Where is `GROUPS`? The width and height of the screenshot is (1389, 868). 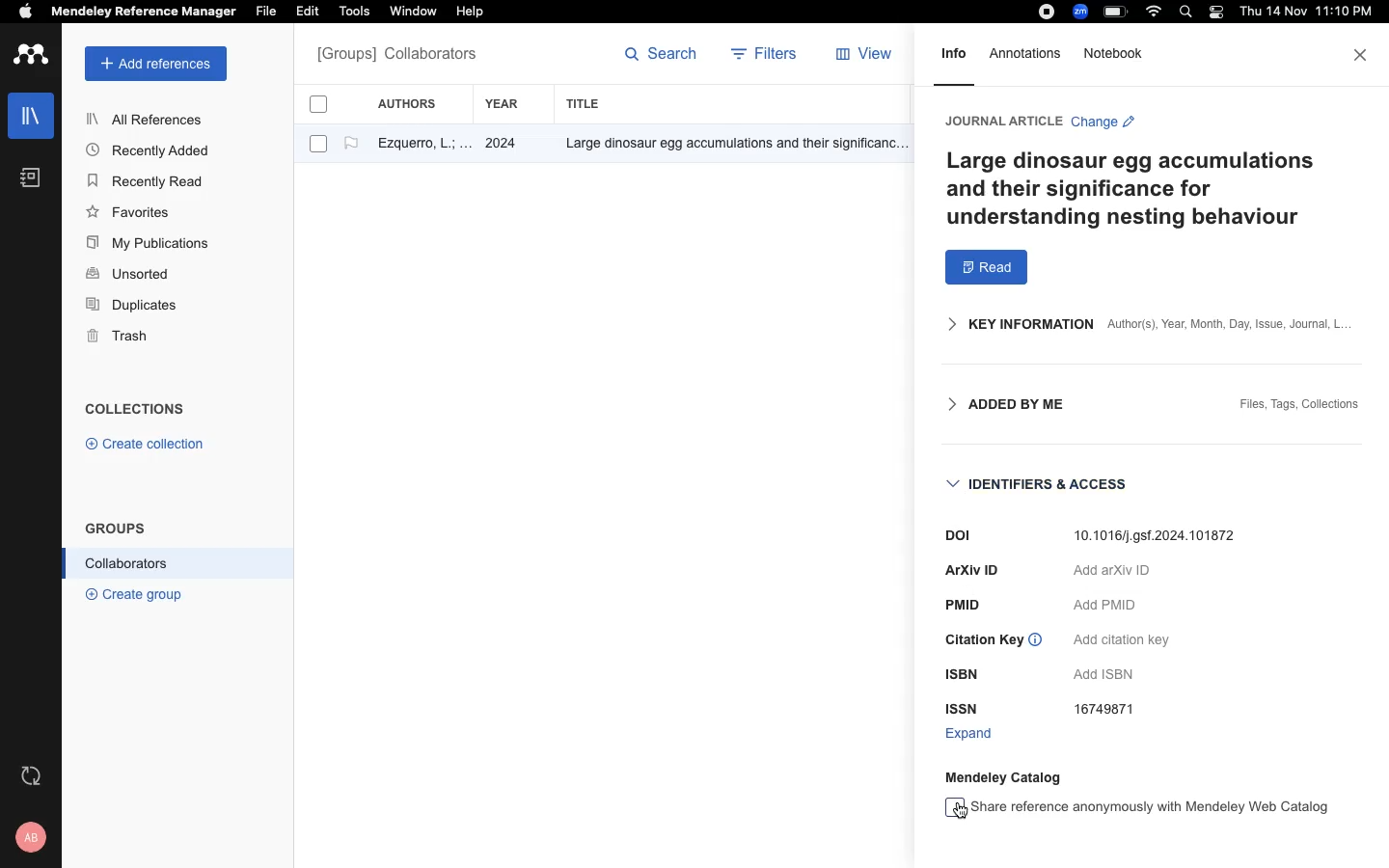 GROUPS is located at coordinates (116, 527).